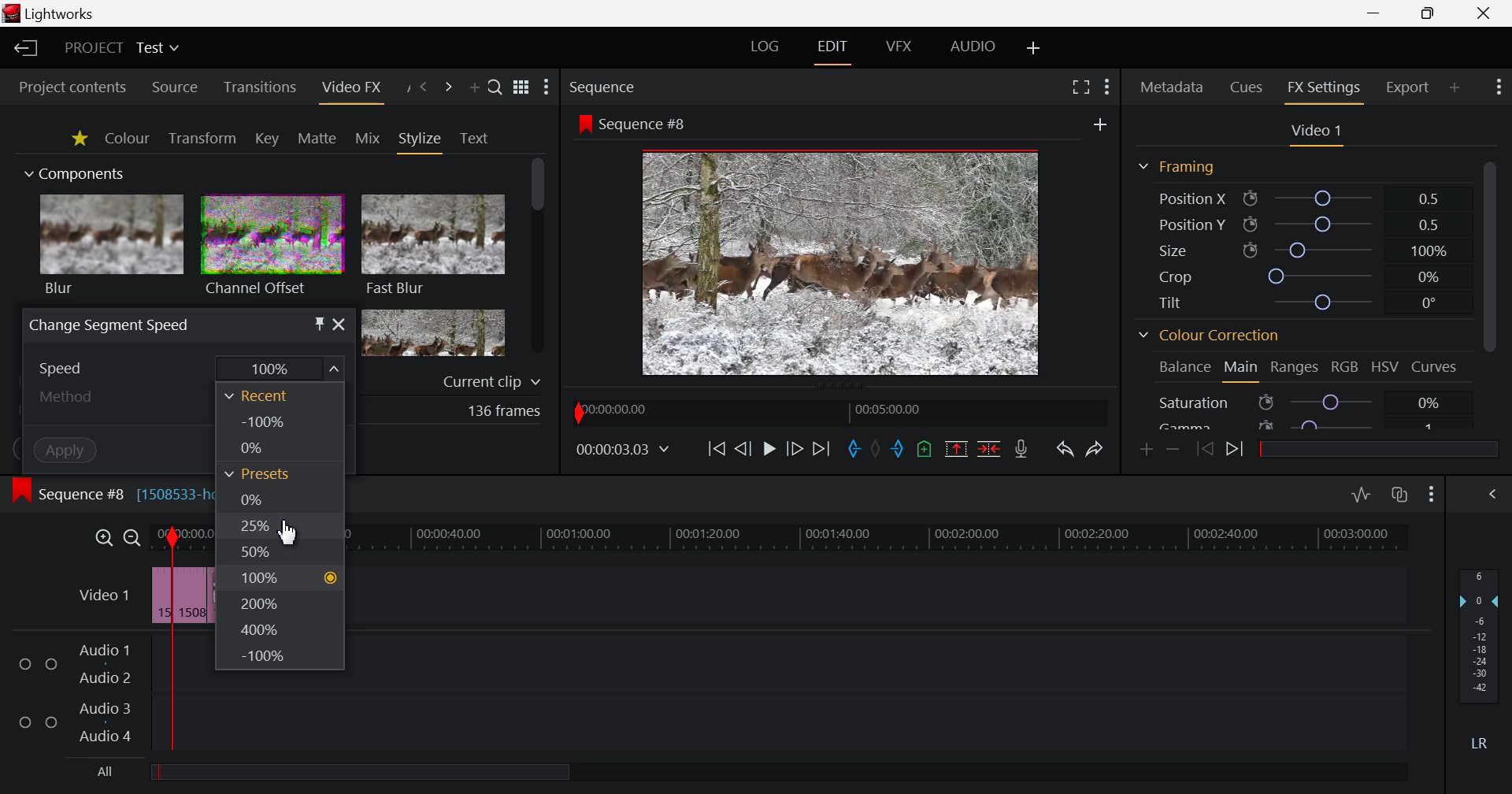 The height and width of the screenshot is (794, 1512). What do you see at coordinates (1429, 14) in the screenshot?
I see `Minimize` at bounding box center [1429, 14].